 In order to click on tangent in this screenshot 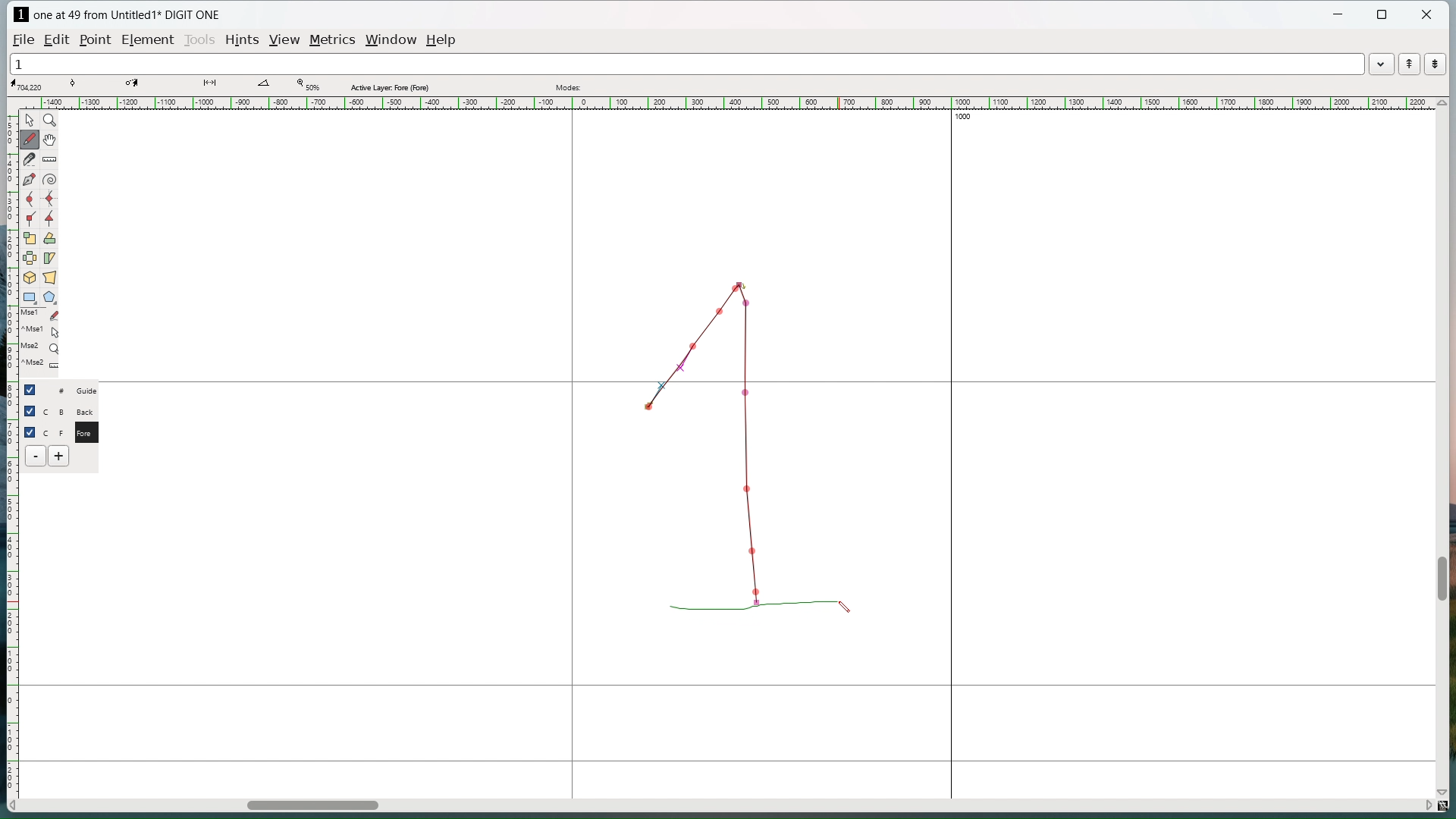, I will do `click(89, 84)`.